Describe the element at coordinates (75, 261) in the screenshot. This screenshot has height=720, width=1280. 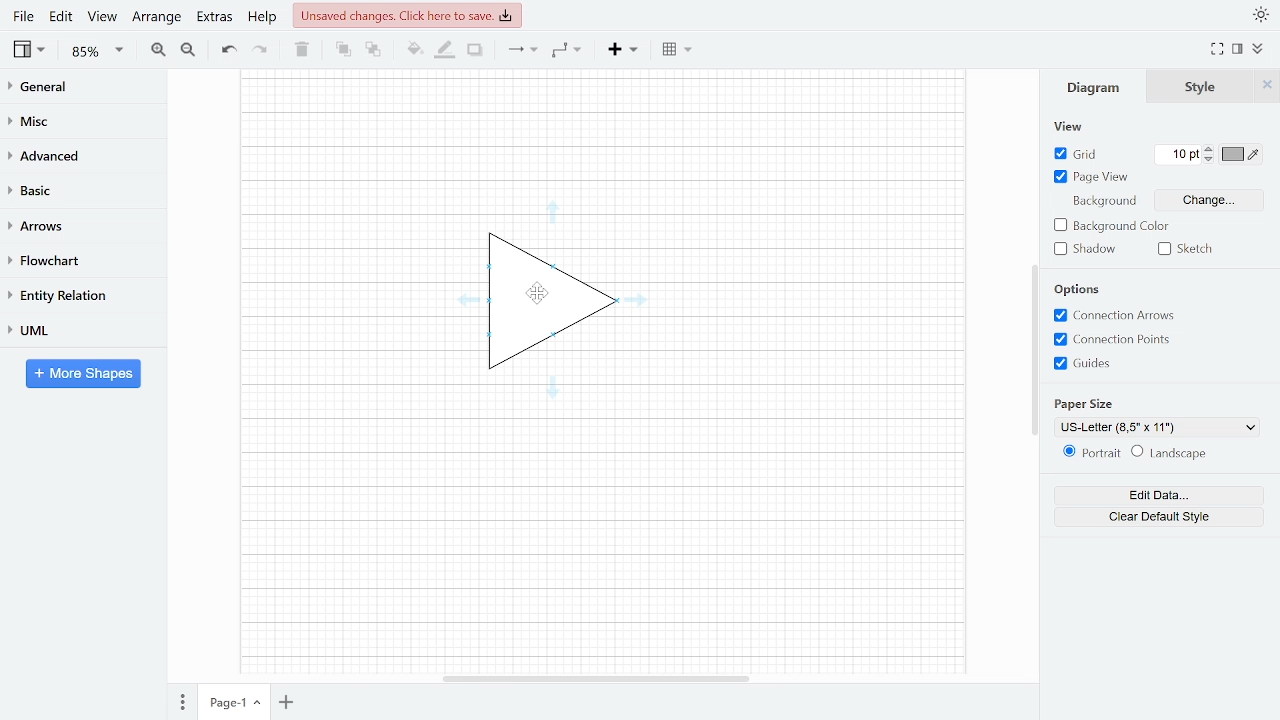
I see `Flowchart` at that location.